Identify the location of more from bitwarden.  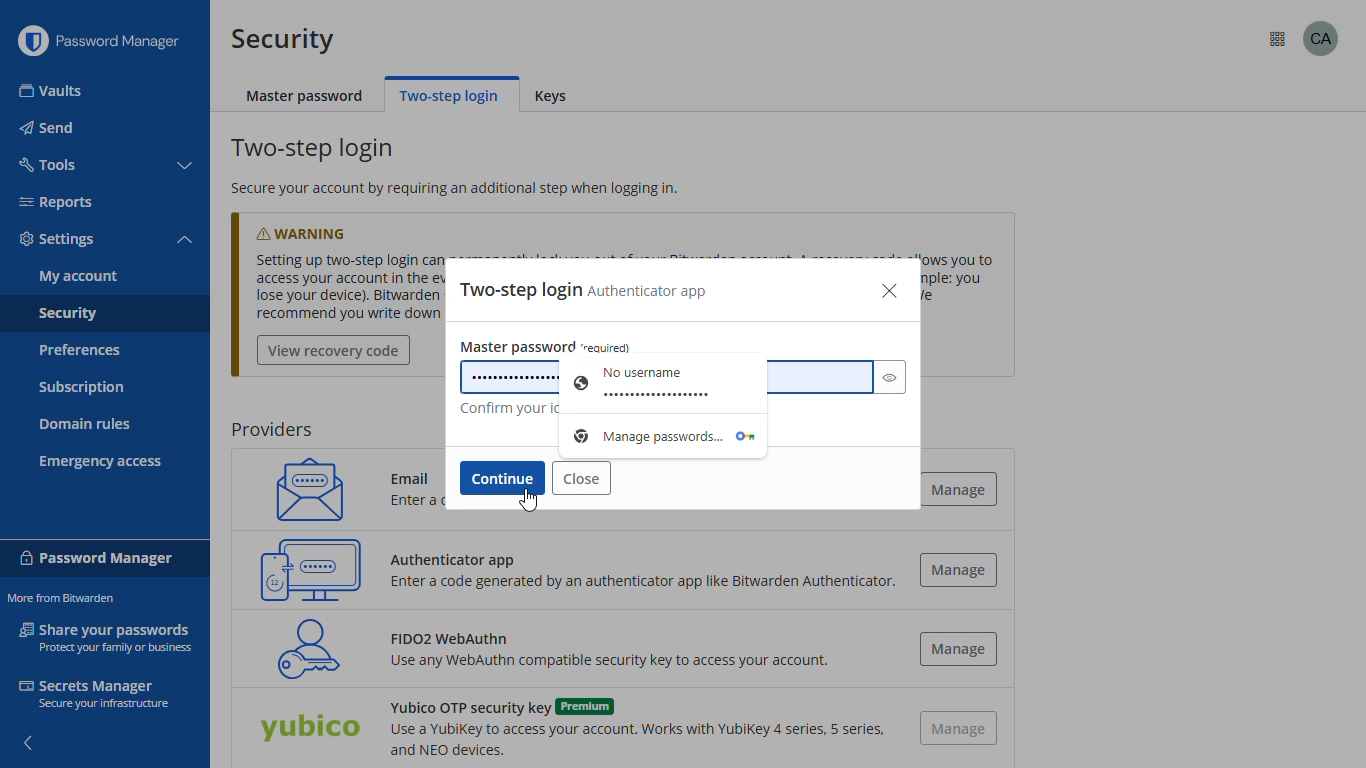
(1278, 40).